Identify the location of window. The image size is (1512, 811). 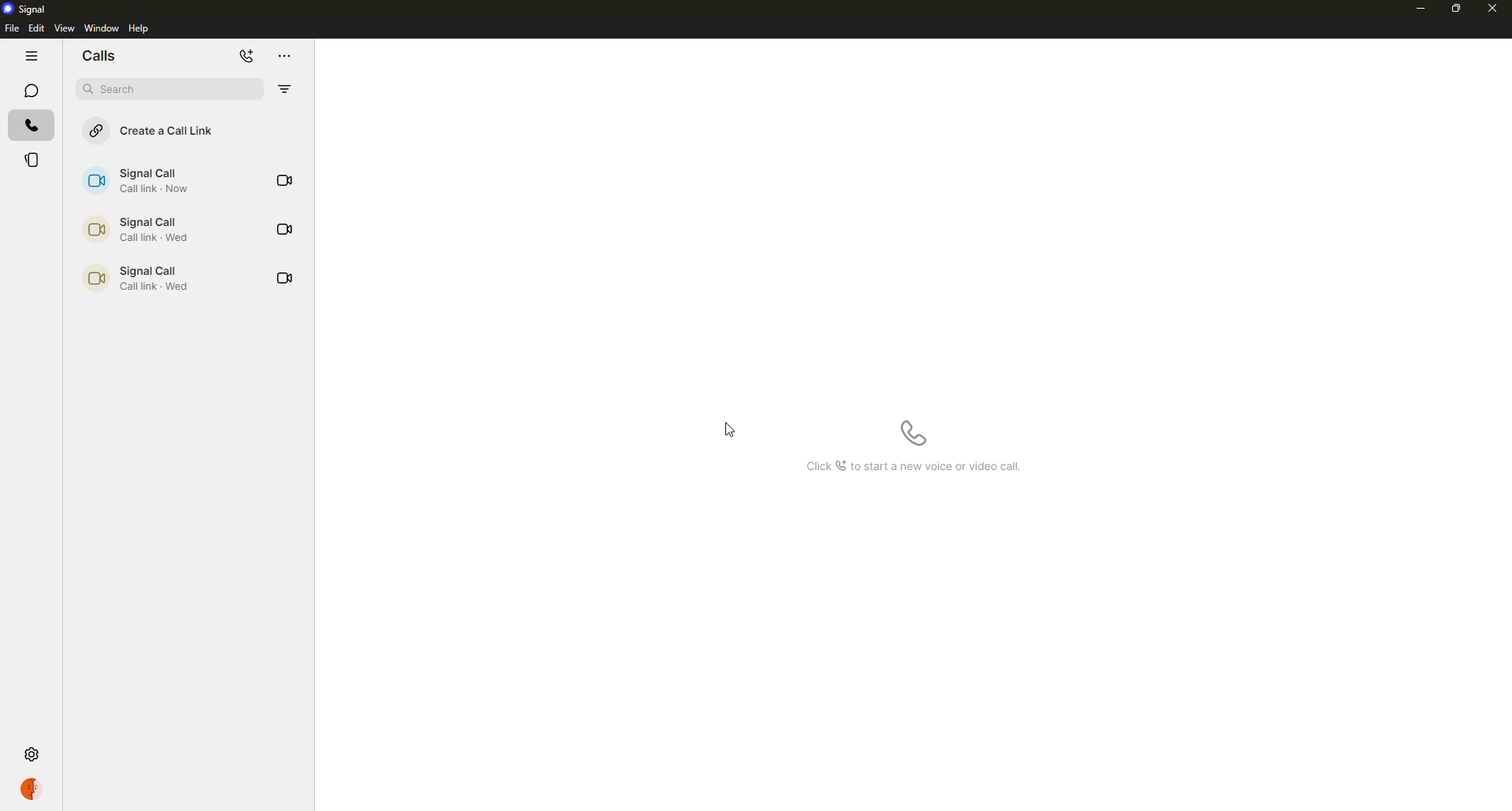
(102, 28).